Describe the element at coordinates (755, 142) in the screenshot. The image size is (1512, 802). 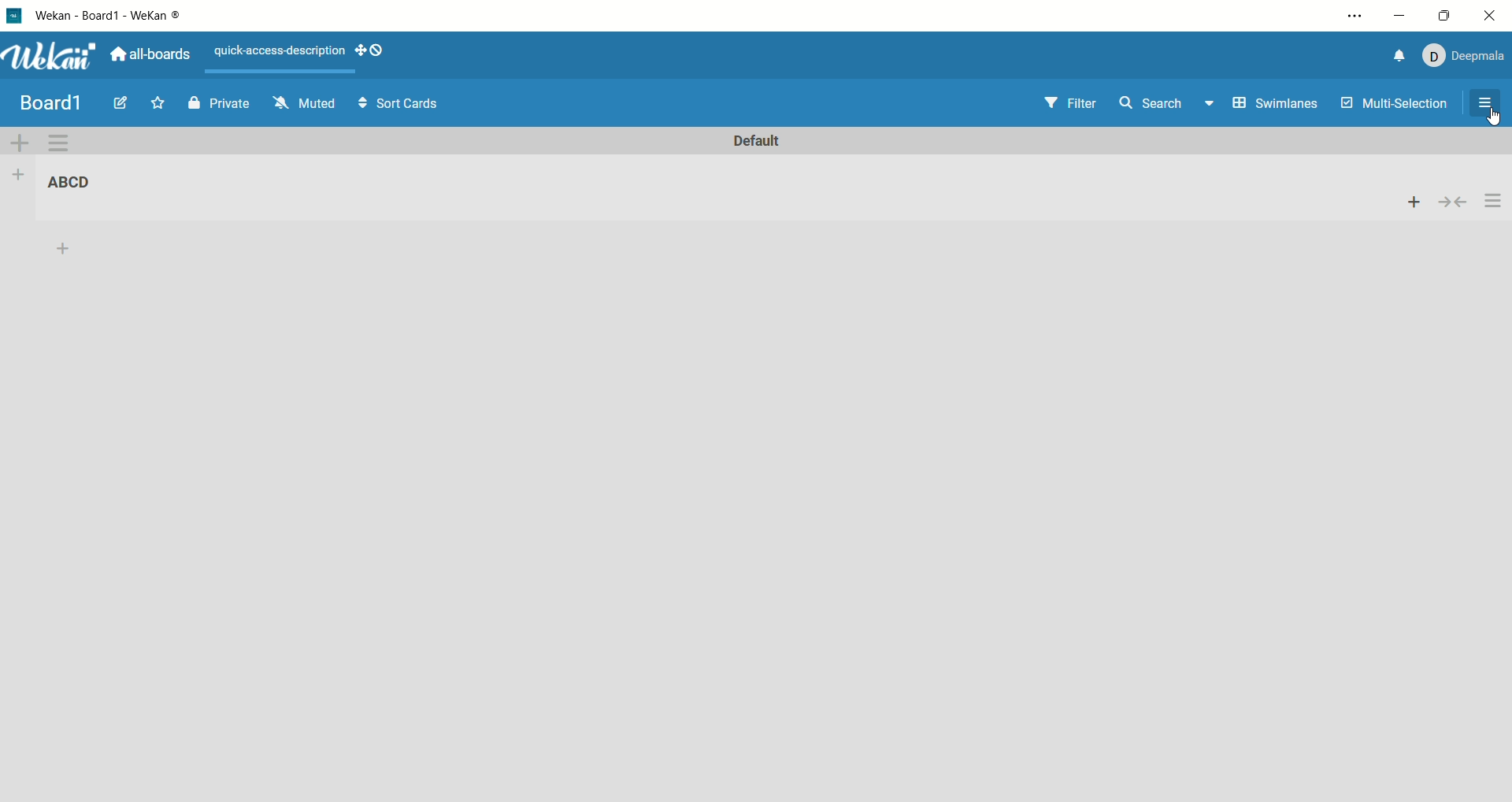
I see `default` at that location.